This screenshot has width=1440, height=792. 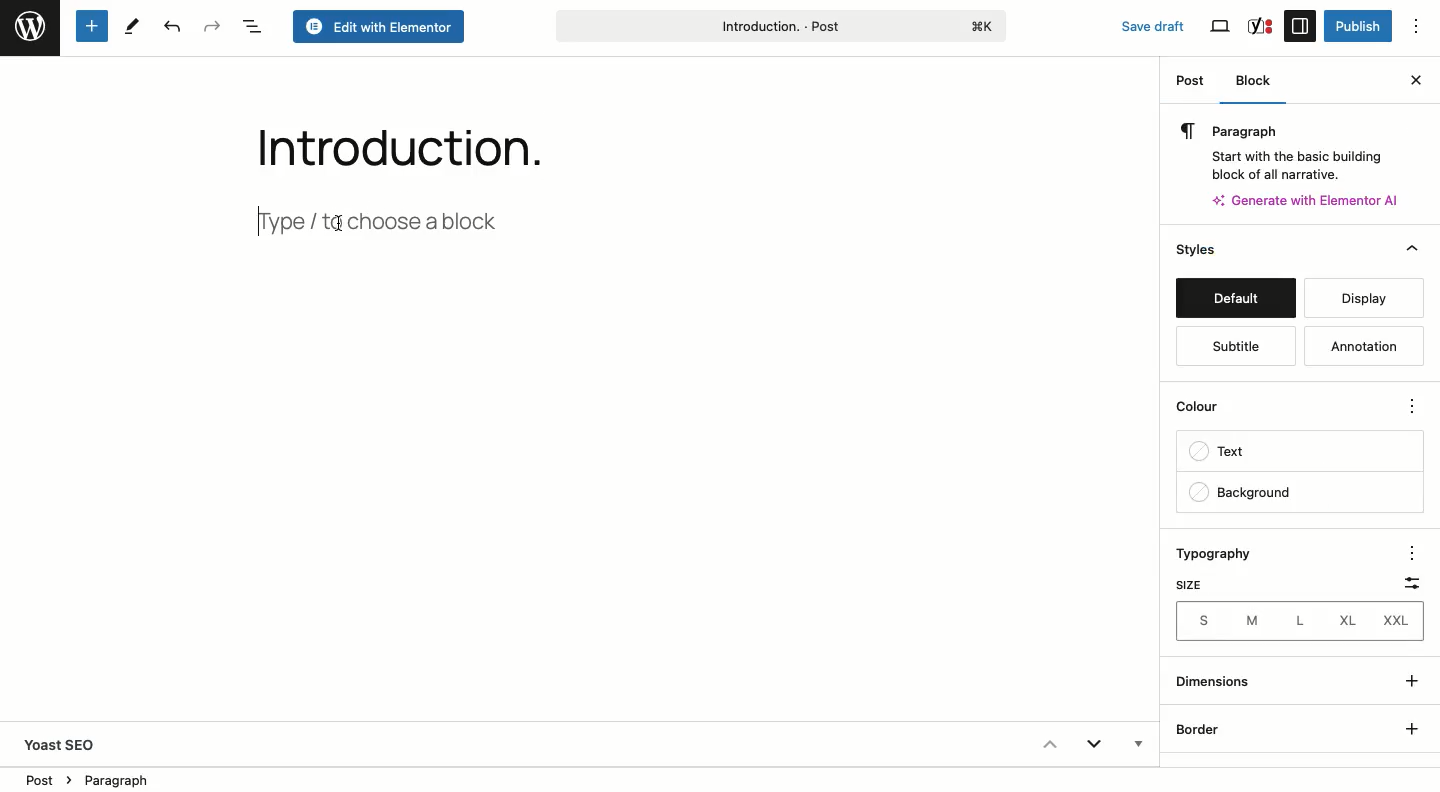 I want to click on Hidden, so click(x=1136, y=746).